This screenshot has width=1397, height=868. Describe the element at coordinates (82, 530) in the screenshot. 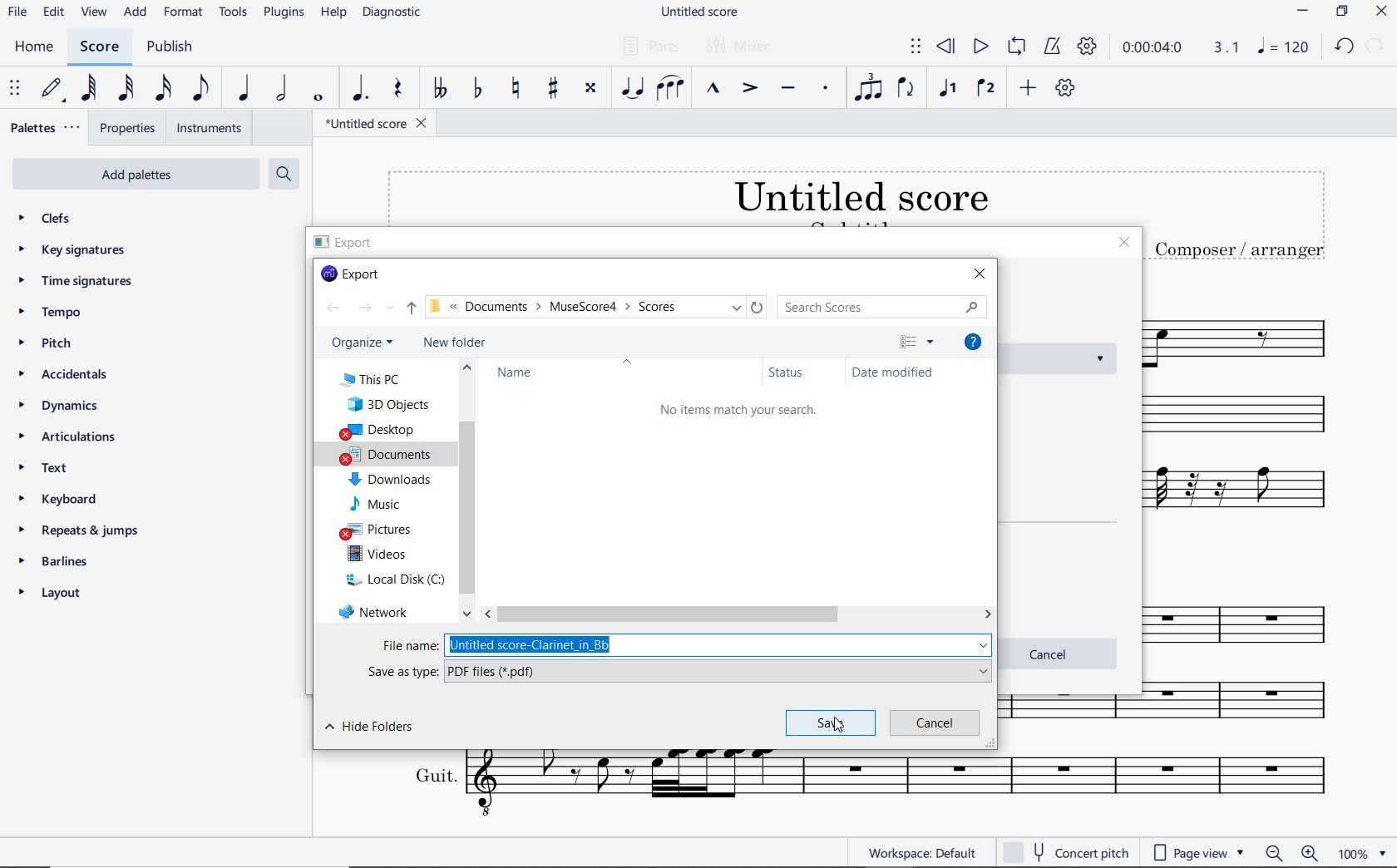

I see `repeats & jumps` at that location.